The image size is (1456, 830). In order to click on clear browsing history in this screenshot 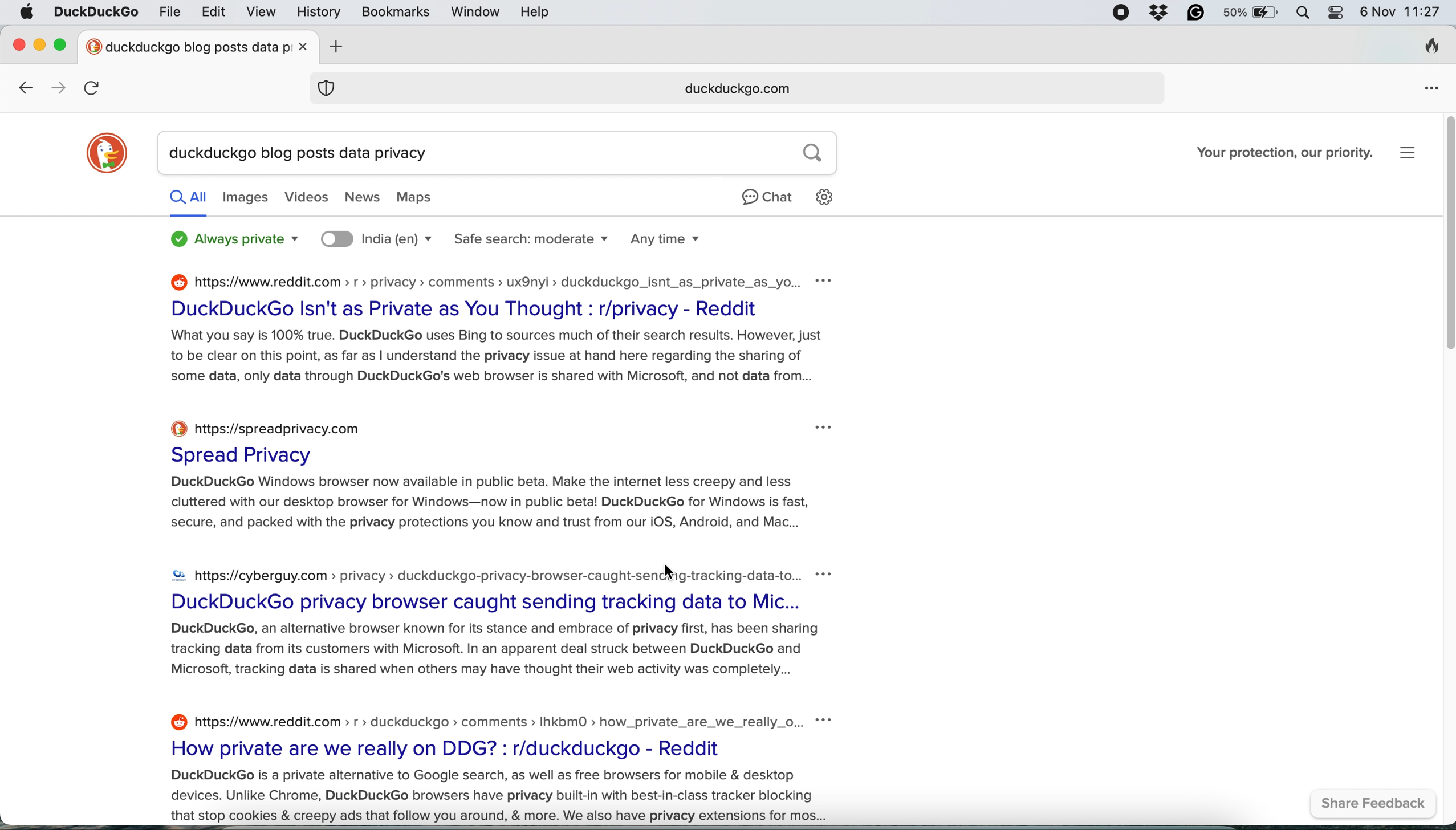, I will do `click(1437, 48)`.